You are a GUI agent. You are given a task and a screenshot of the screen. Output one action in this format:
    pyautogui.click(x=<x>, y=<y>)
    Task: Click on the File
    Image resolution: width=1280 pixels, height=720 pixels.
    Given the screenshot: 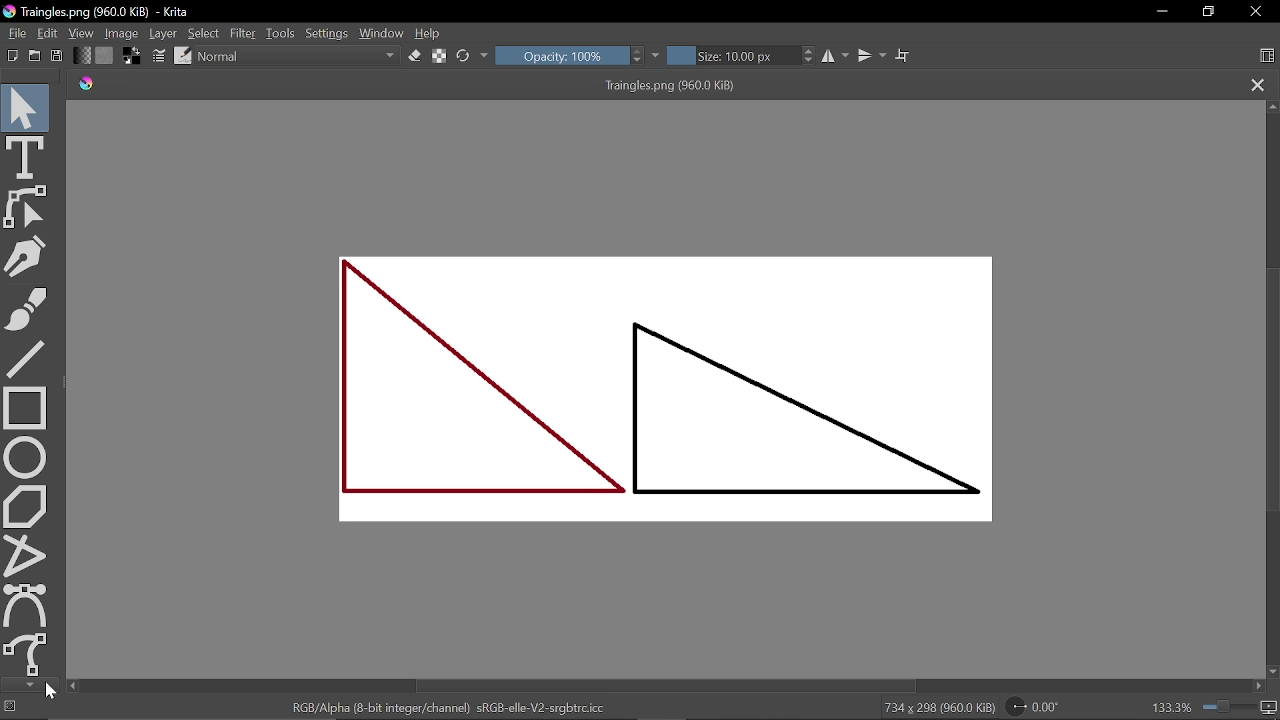 What is the action you would take?
    pyautogui.click(x=14, y=35)
    